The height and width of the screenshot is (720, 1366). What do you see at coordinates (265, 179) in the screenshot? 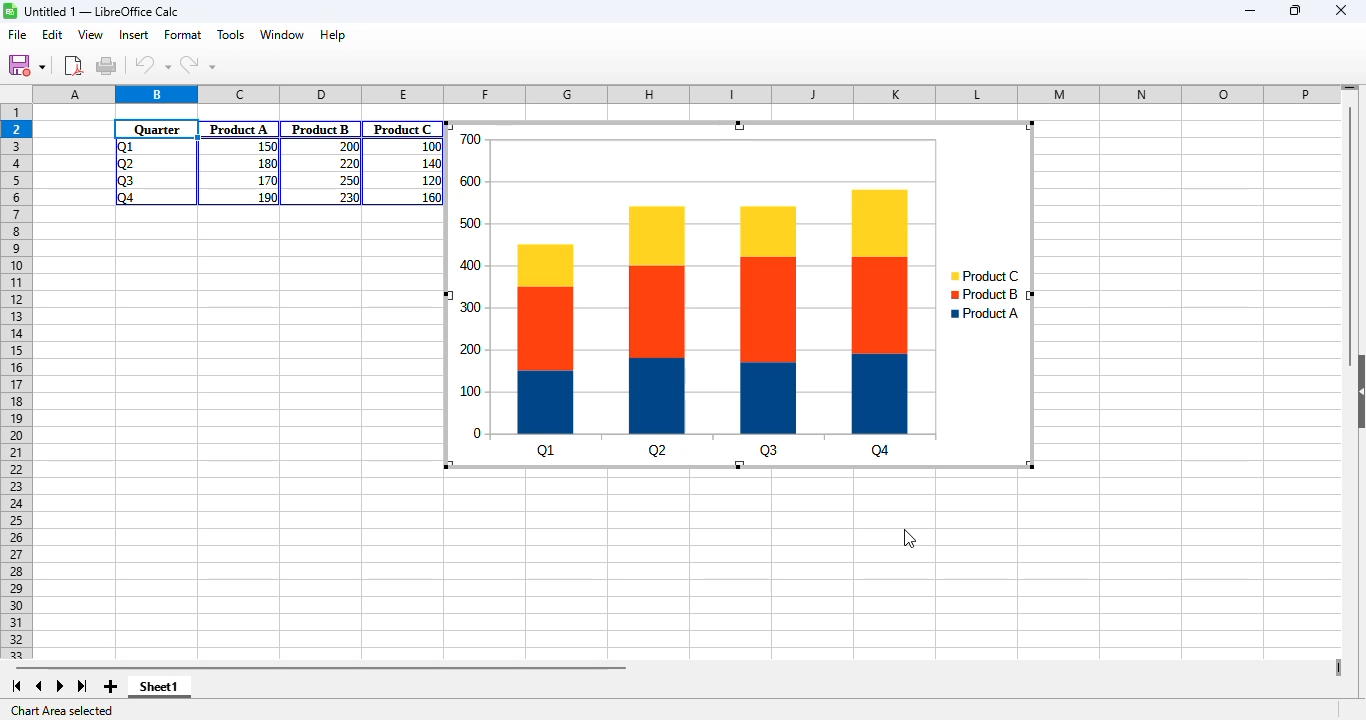
I see `170` at bounding box center [265, 179].